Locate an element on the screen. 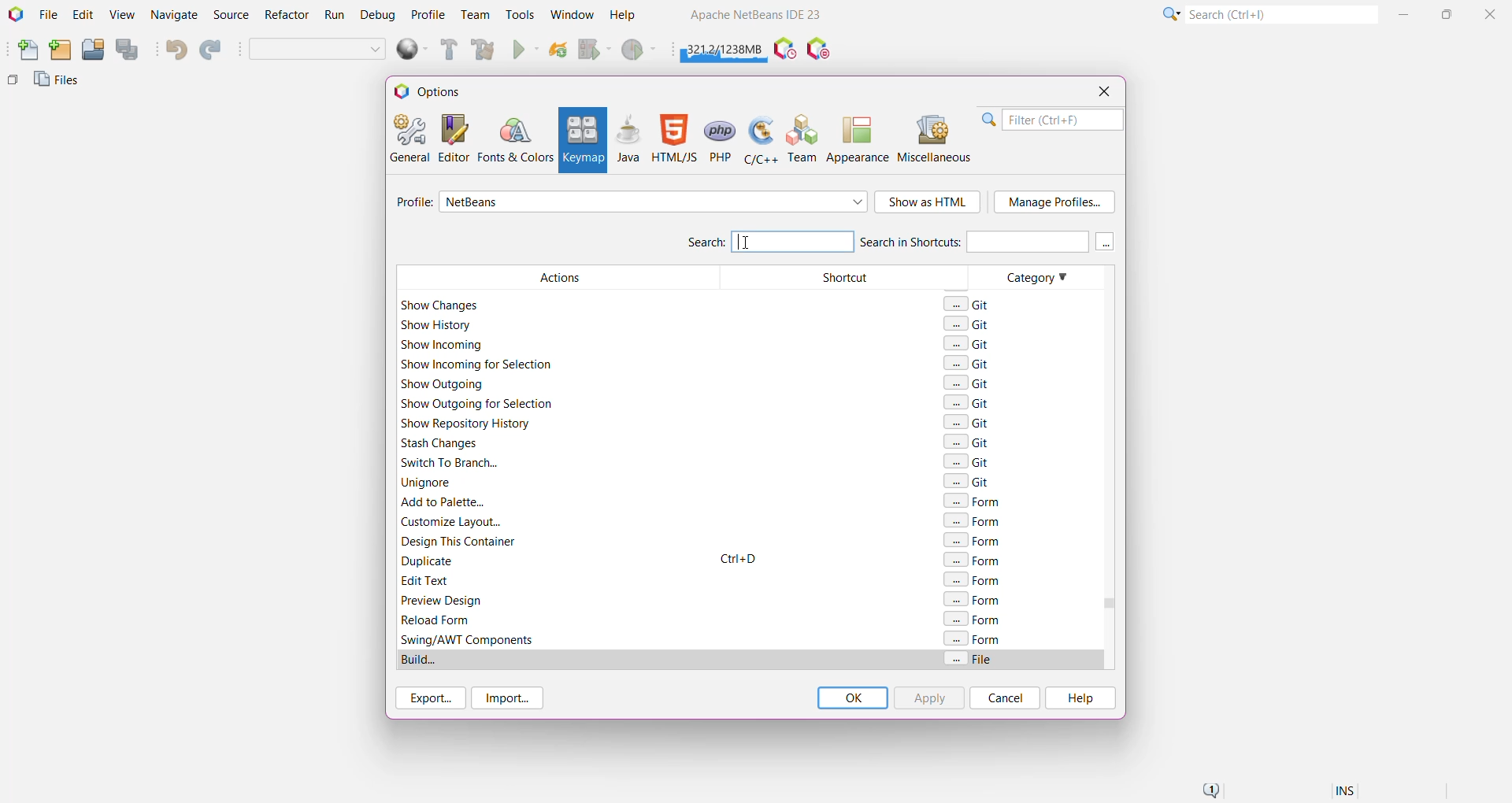  Run is located at coordinates (526, 51).